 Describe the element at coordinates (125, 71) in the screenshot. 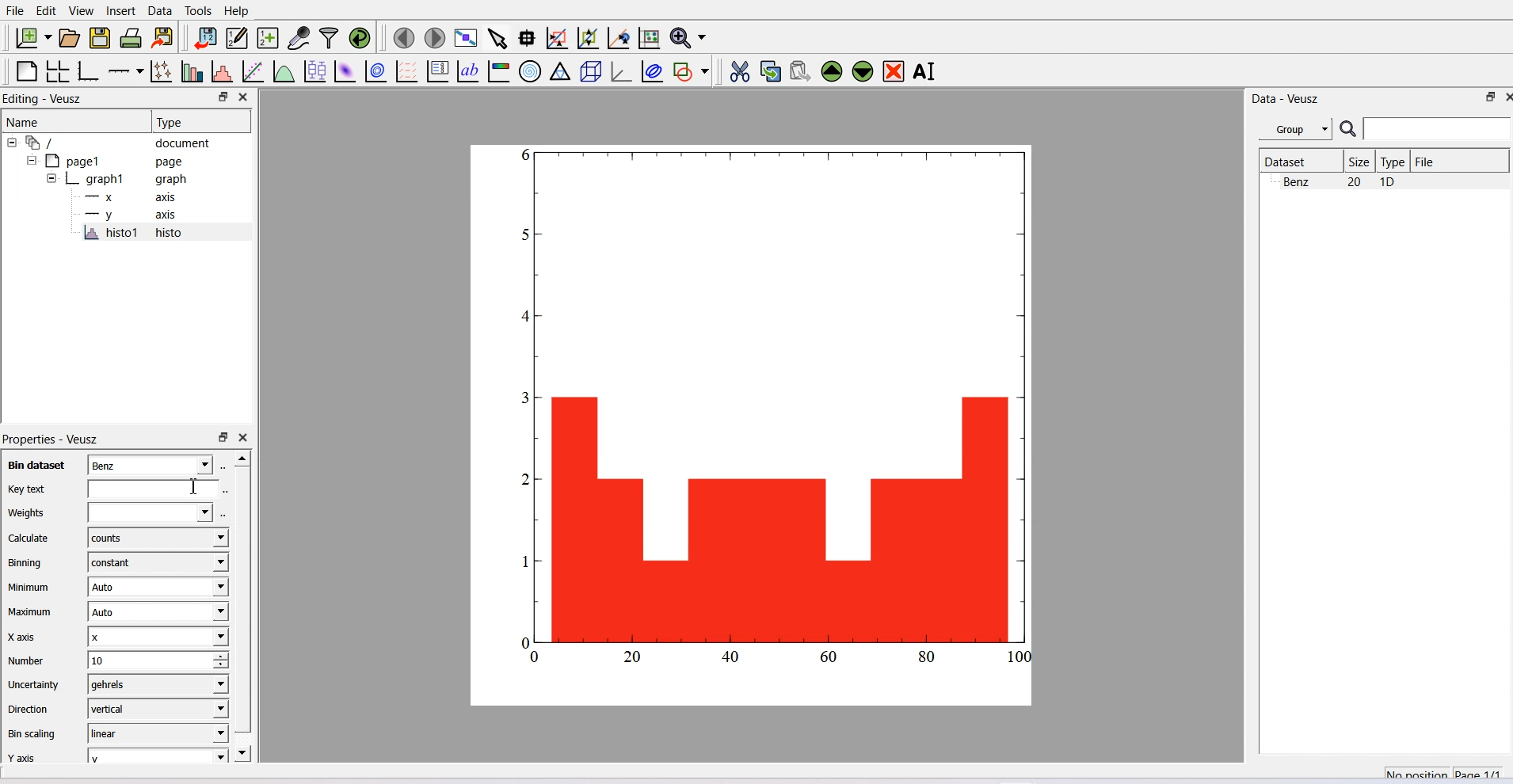

I see `Add an axis to the Plot` at that location.